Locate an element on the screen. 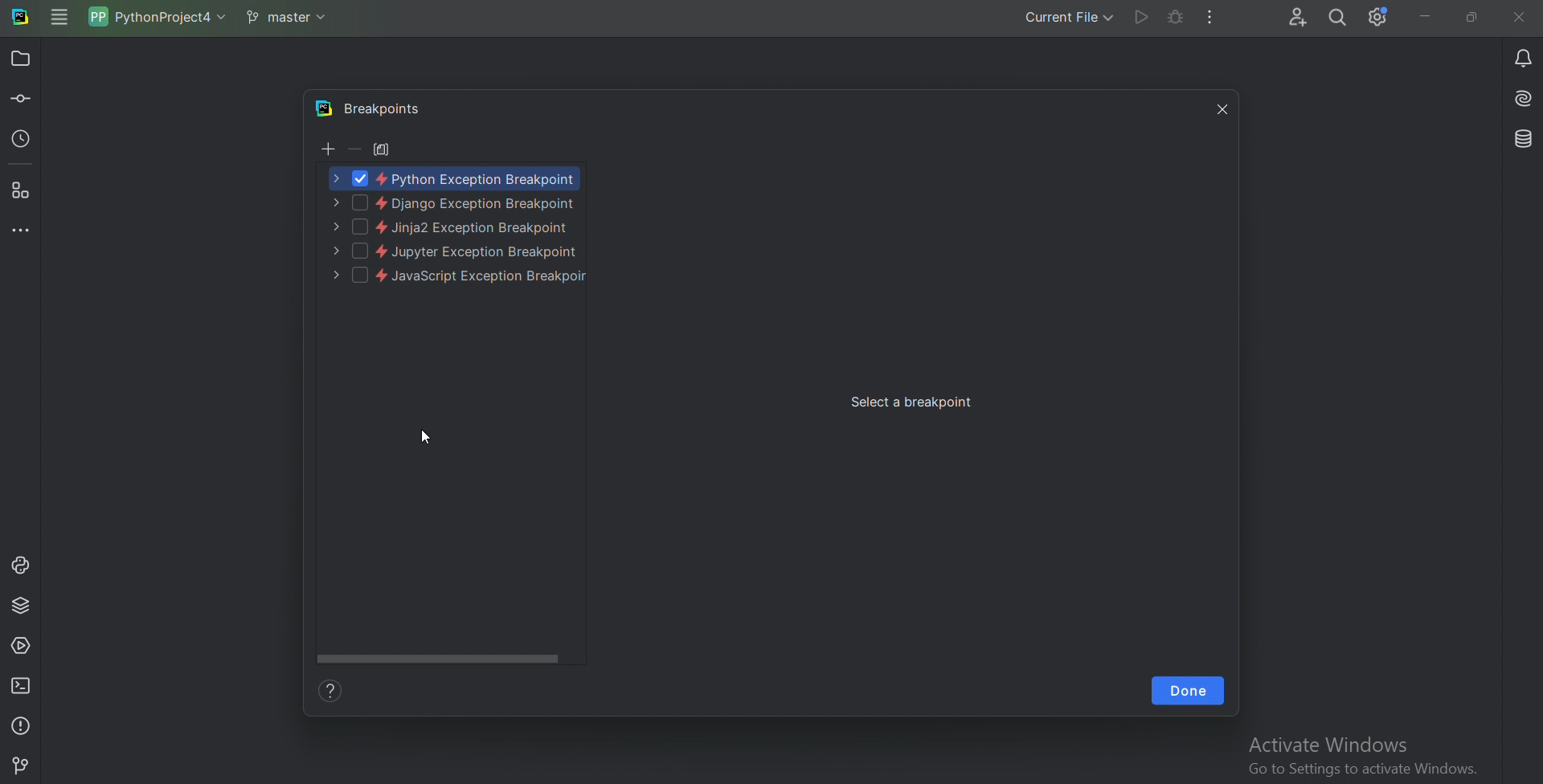 This screenshot has height=784, width=1543. More actions is located at coordinates (1212, 18).